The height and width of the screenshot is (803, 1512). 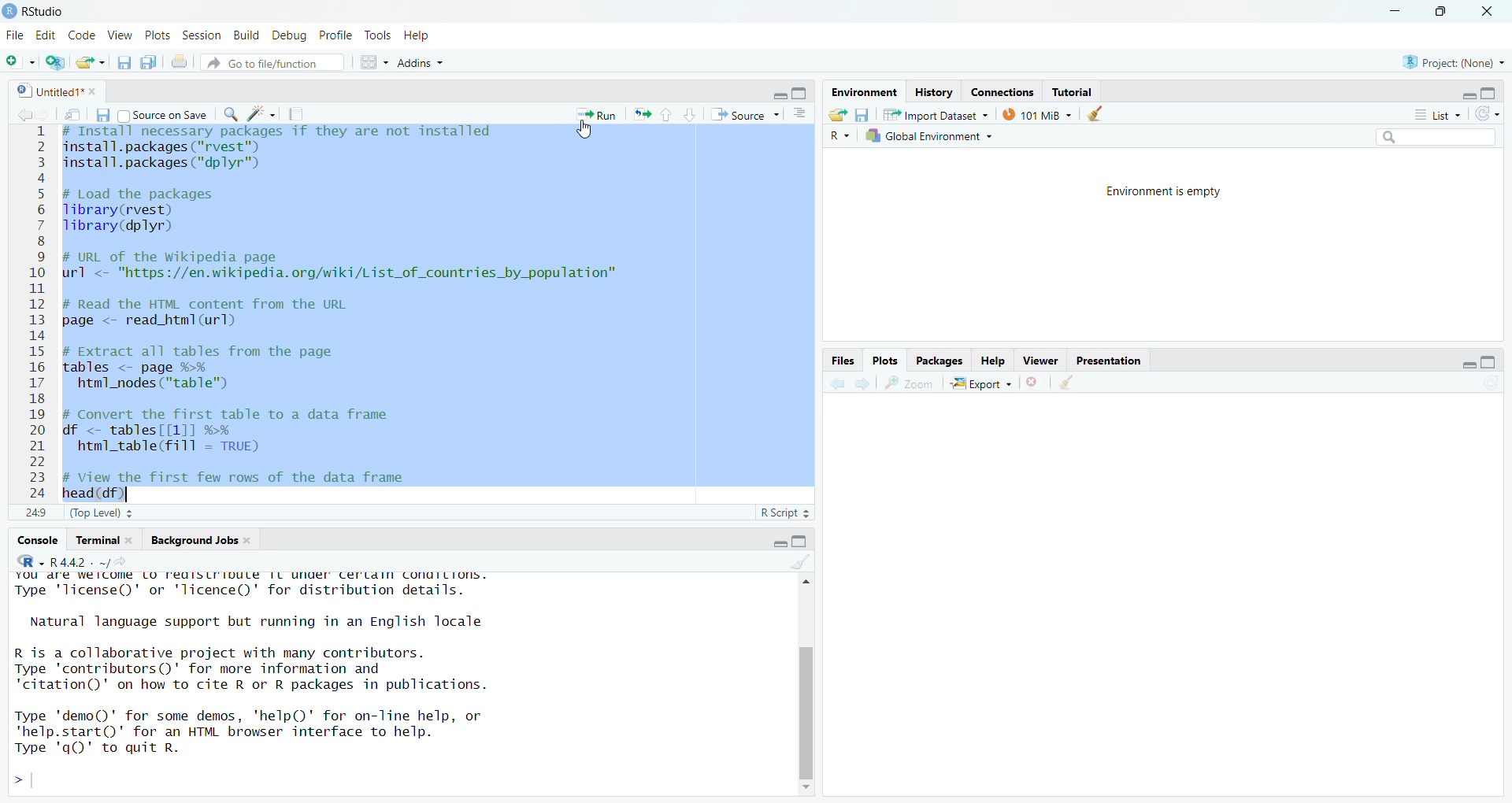 What do you see at coordinates (799, 542) in the screenshot?
I see `Maximize` at bounding box center [799, 542].